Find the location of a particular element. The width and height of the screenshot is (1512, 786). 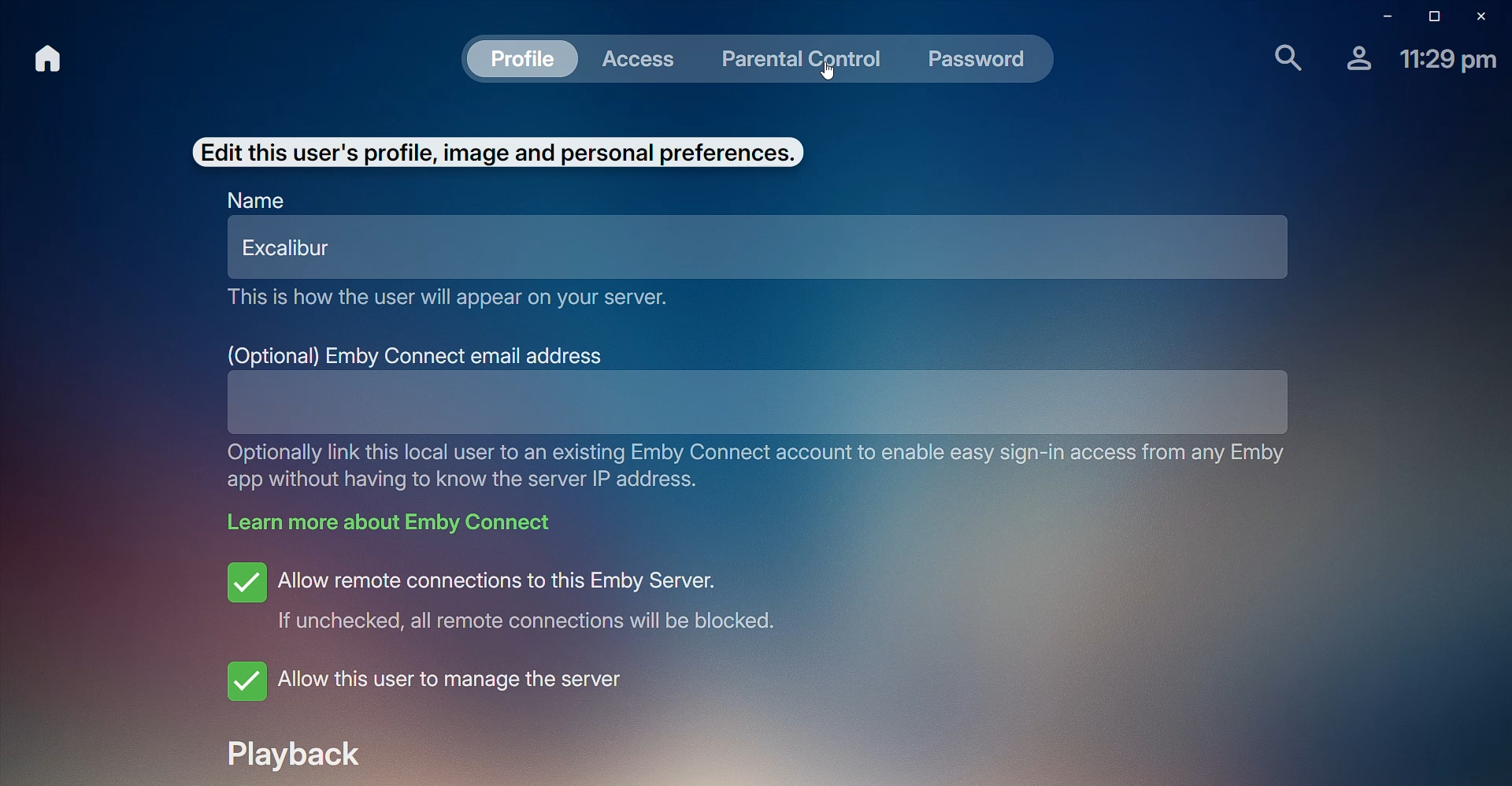

Emby Connect email address is located at coordinates (417, 354).